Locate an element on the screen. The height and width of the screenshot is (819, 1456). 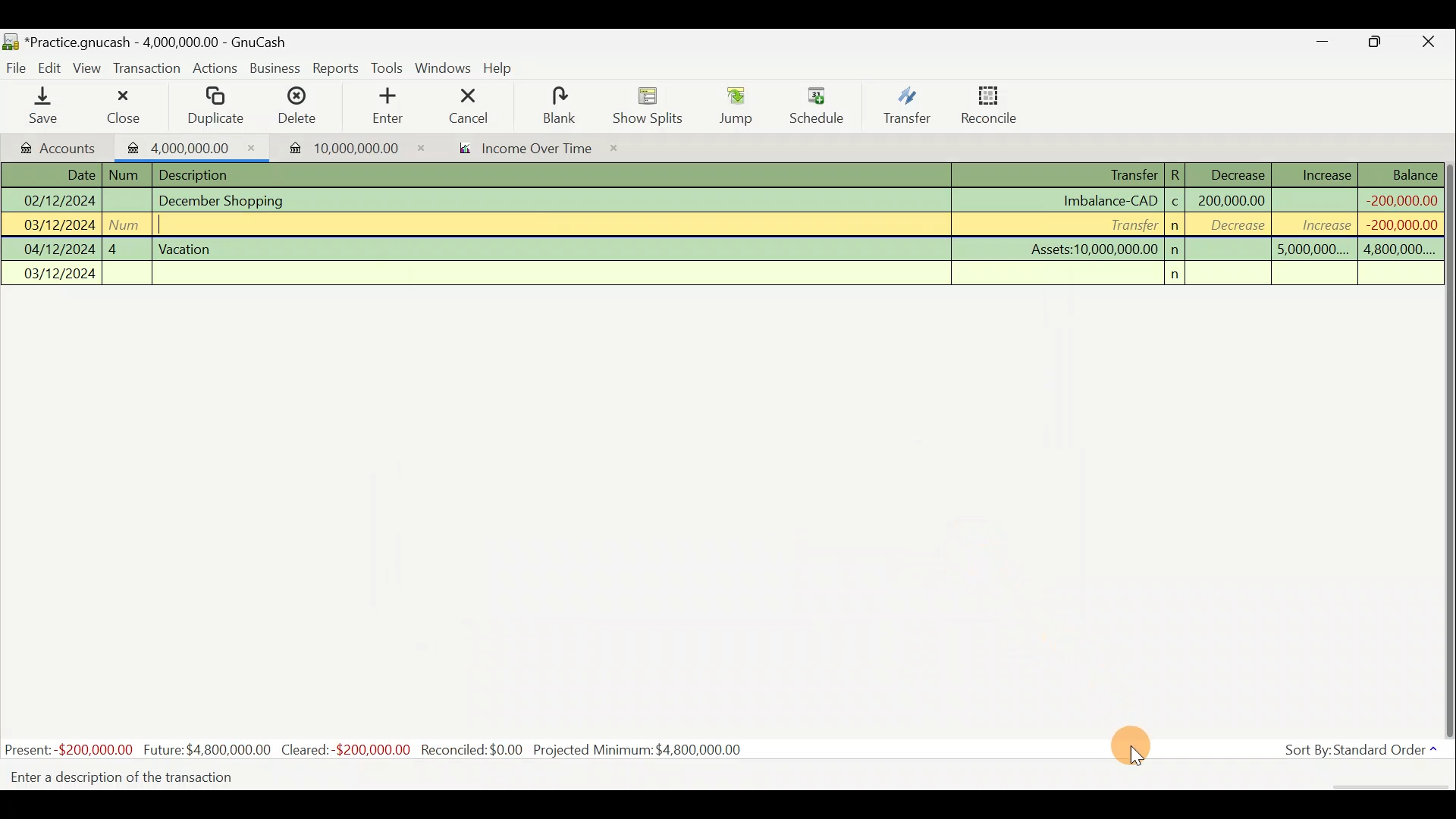
Enter a description of the transaction is located at coordinates (140, 780).